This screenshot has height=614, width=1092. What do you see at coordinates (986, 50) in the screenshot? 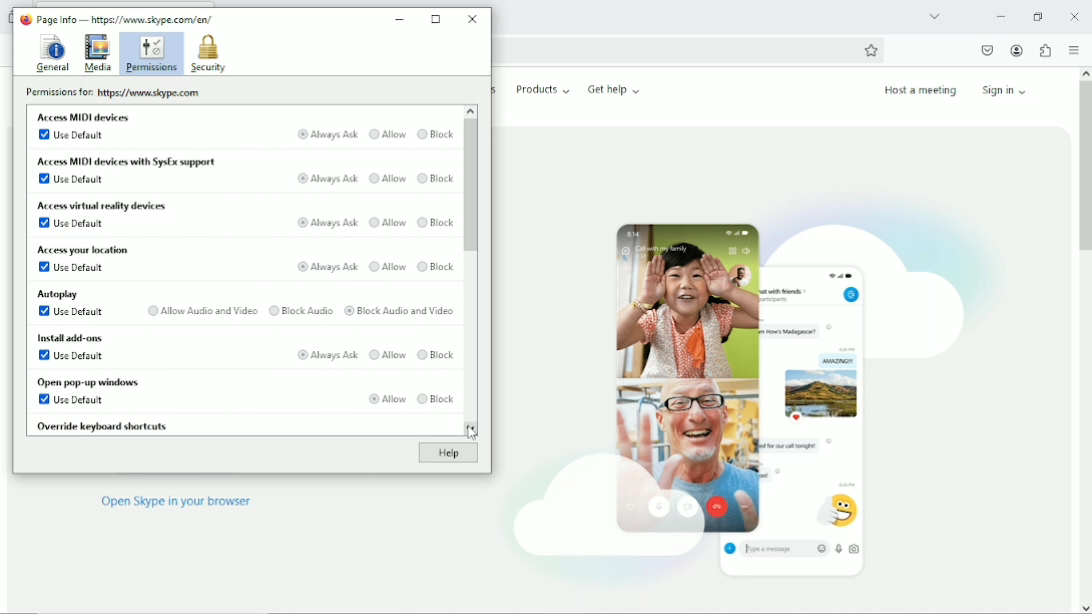
I see `Save to pocket` at bounding box center [986, 50].